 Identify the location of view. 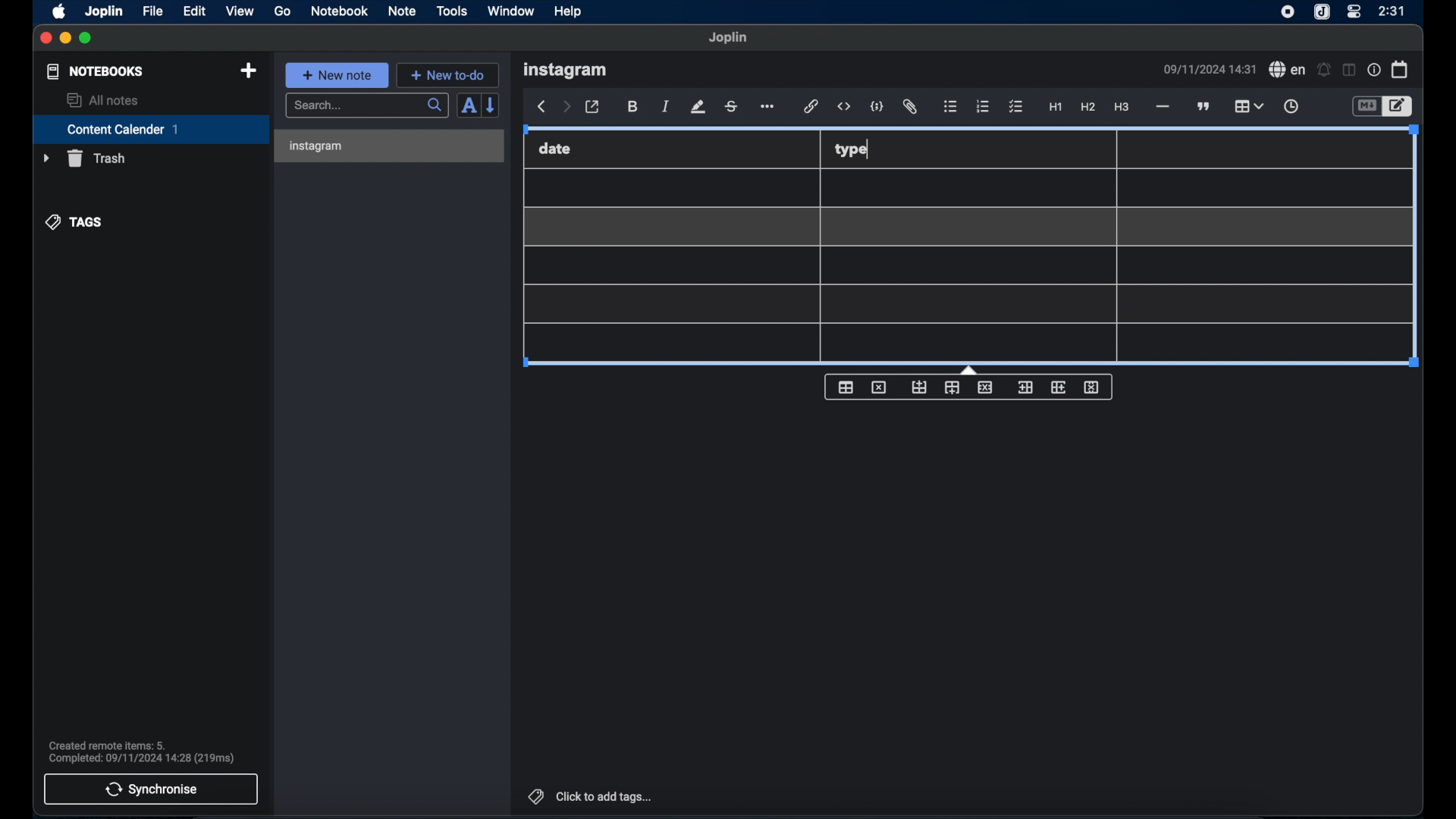
(240, 11).